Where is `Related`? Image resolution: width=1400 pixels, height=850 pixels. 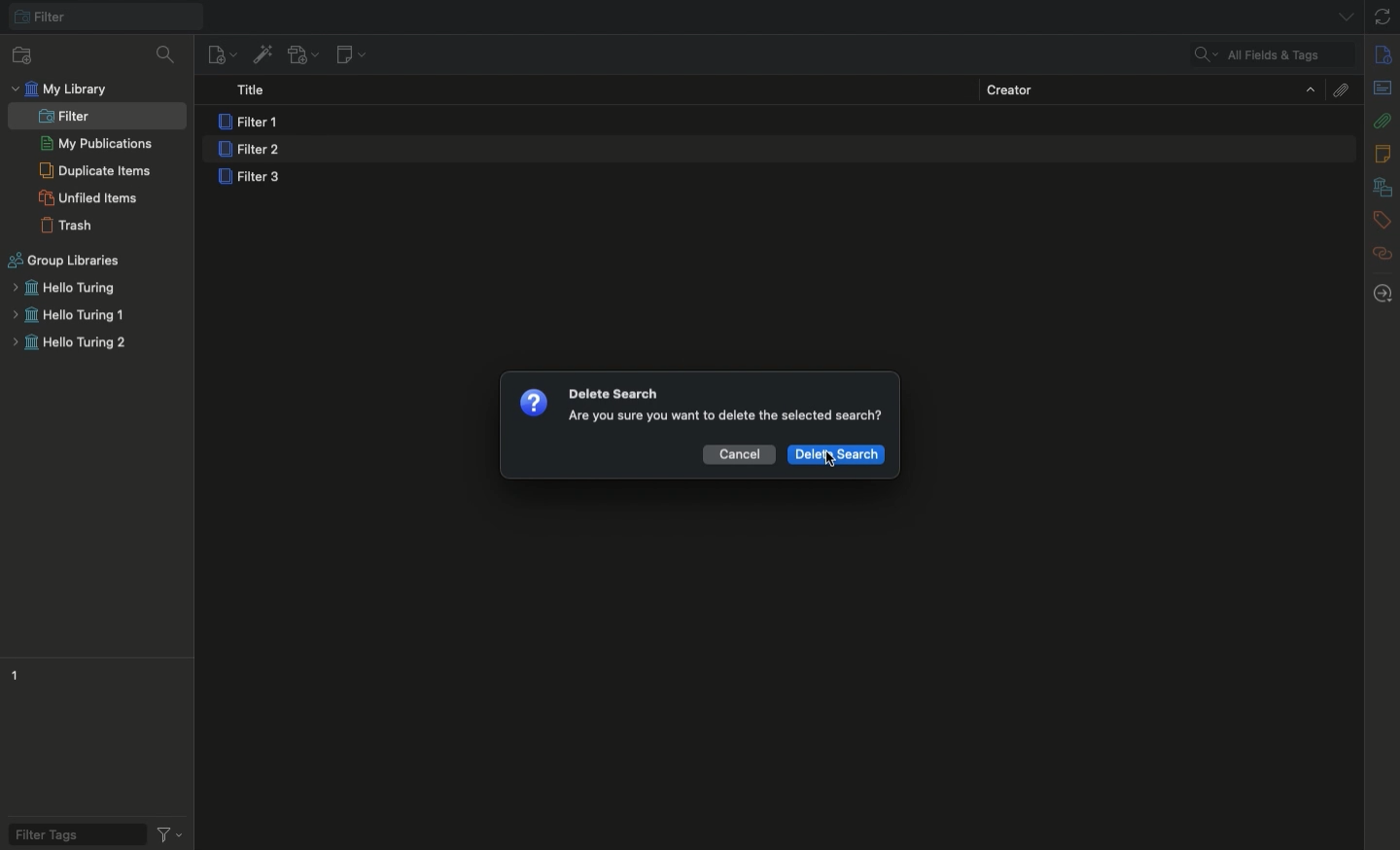
Related is located at coordinates (1382, 253).